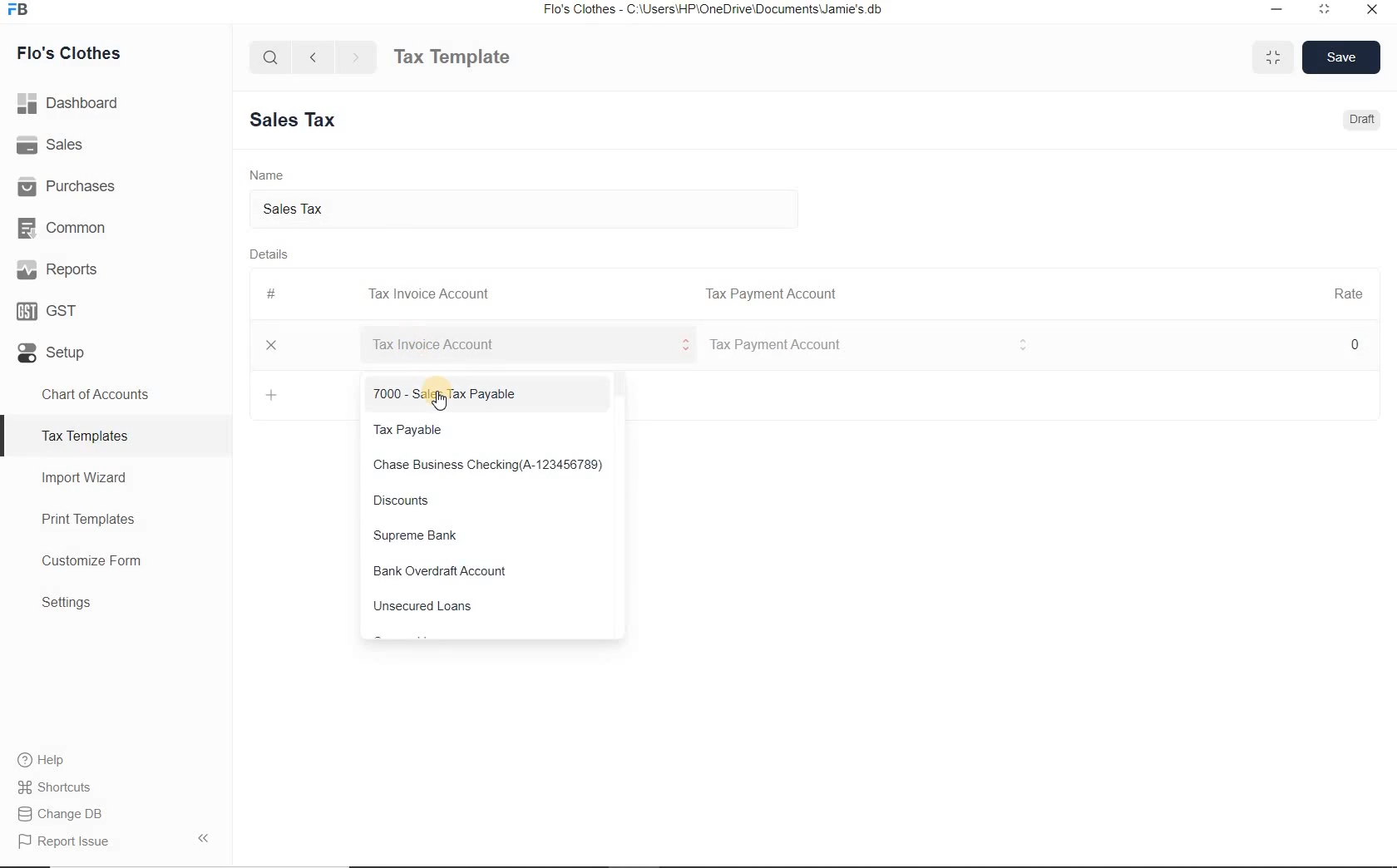  What do you see at coordinates (116, 268) in the screenshot?
I see `Reports` at bounding box center [116, 268].